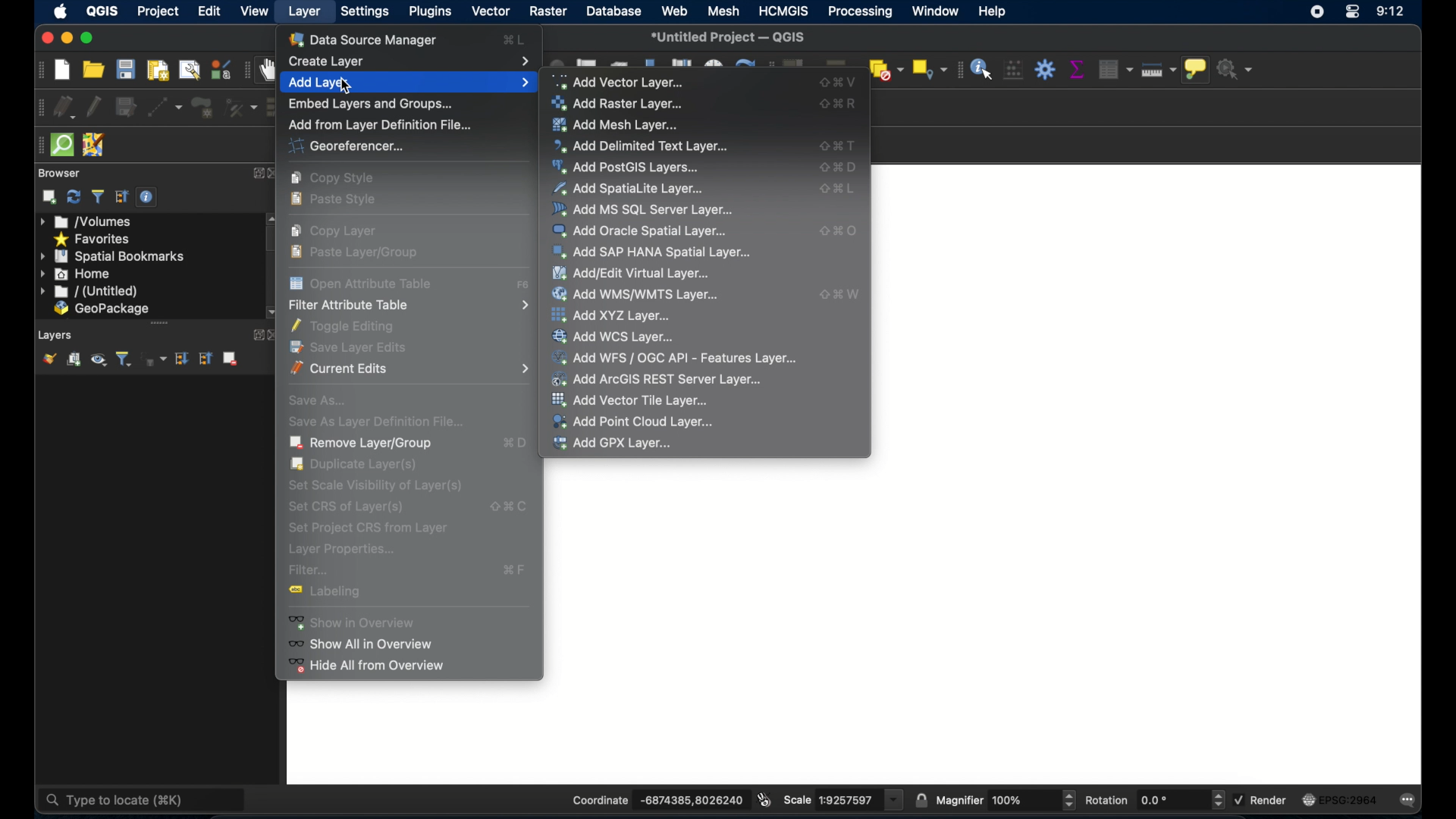 This screenshot has width=1456, height=819. What do you see at coordinates (74, 360) in the screenshot?
I see `add group` at bounding box center [74, 360].